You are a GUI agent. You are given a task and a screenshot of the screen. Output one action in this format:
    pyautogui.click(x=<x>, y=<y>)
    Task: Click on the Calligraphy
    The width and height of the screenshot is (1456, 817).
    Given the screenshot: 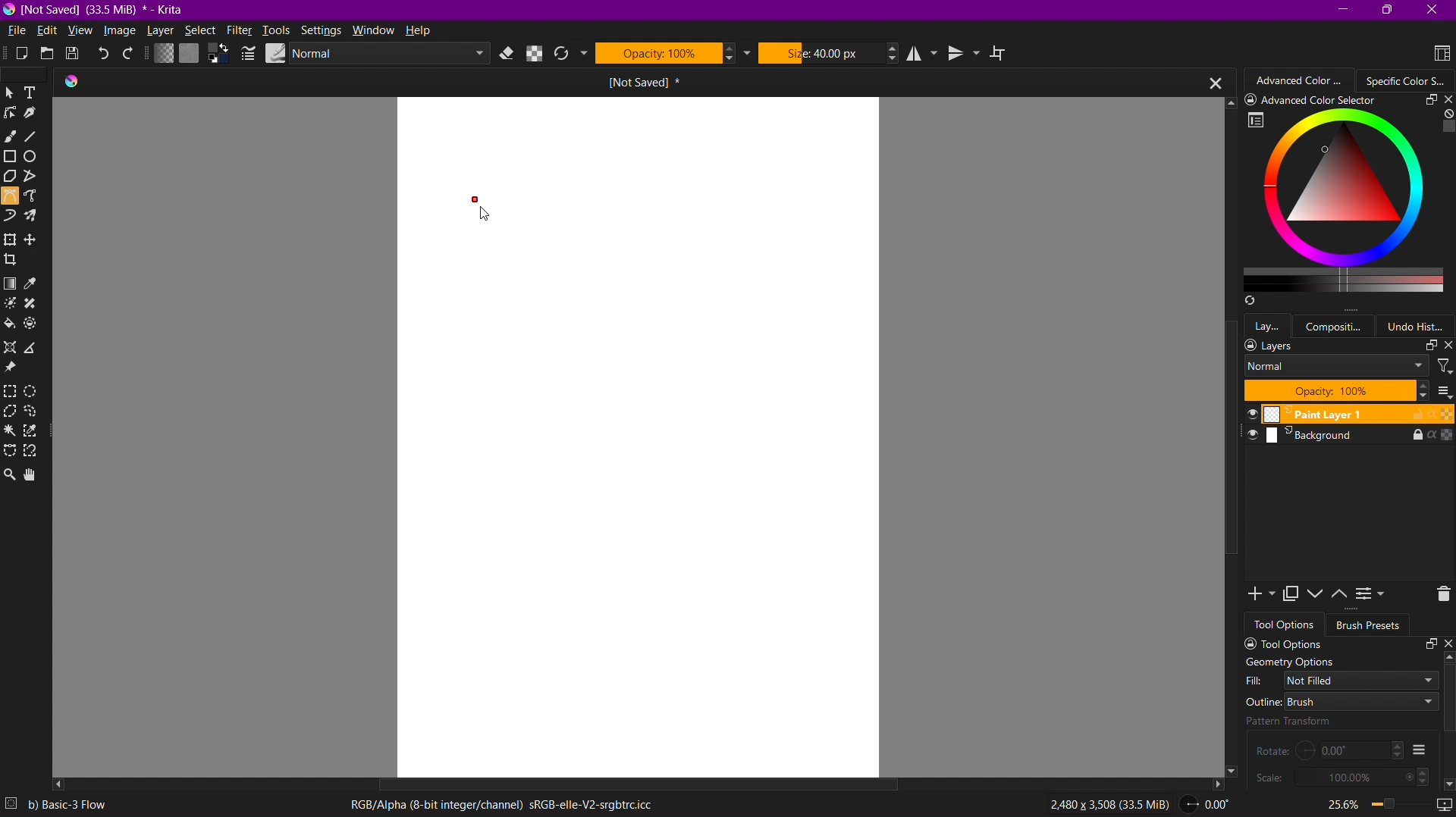 What is the action you would take?
    pyautogui.click(x=39, y=116)
    